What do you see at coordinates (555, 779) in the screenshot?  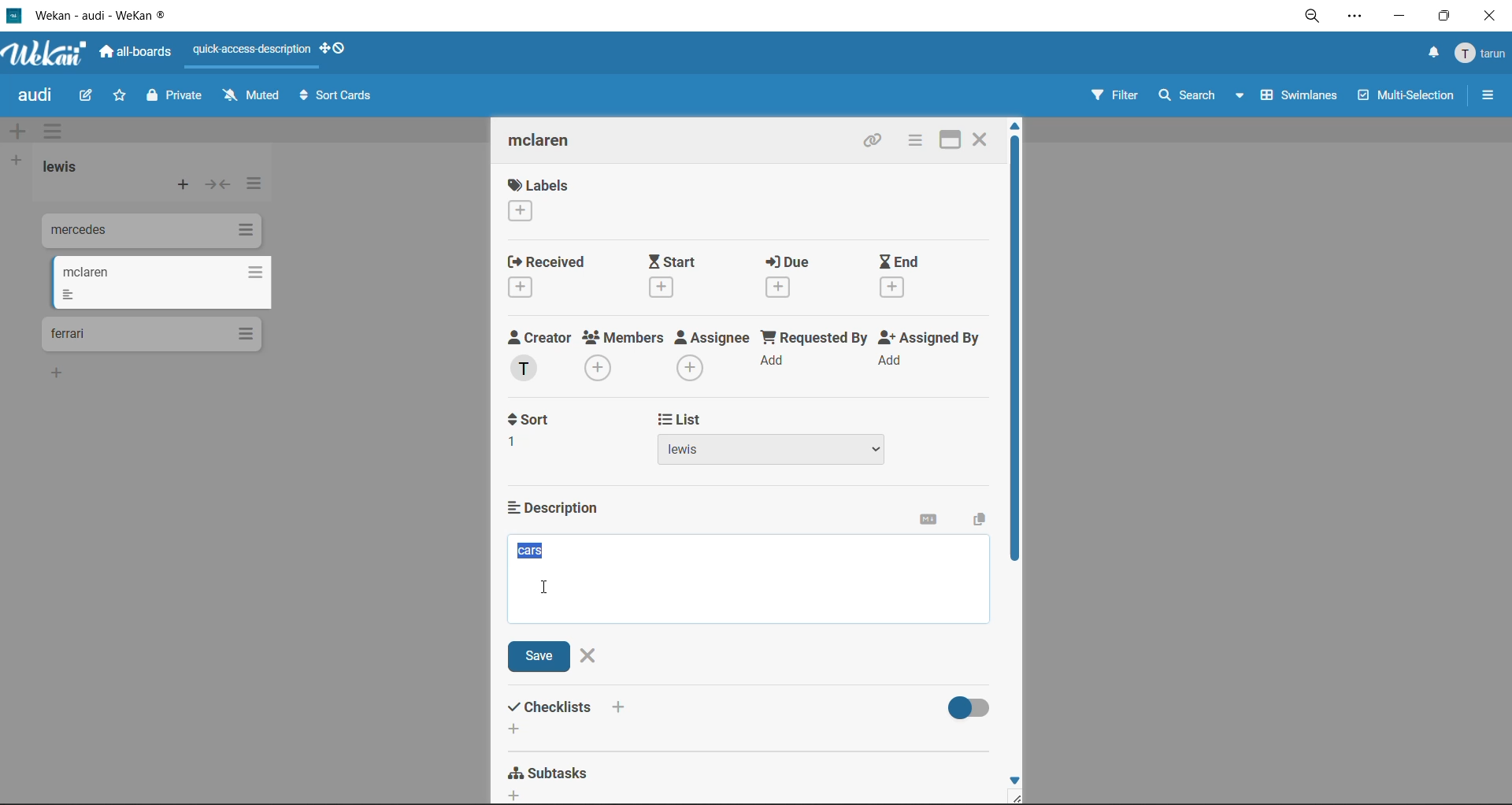 I see `subtasks` at bounding box center [555, 779].